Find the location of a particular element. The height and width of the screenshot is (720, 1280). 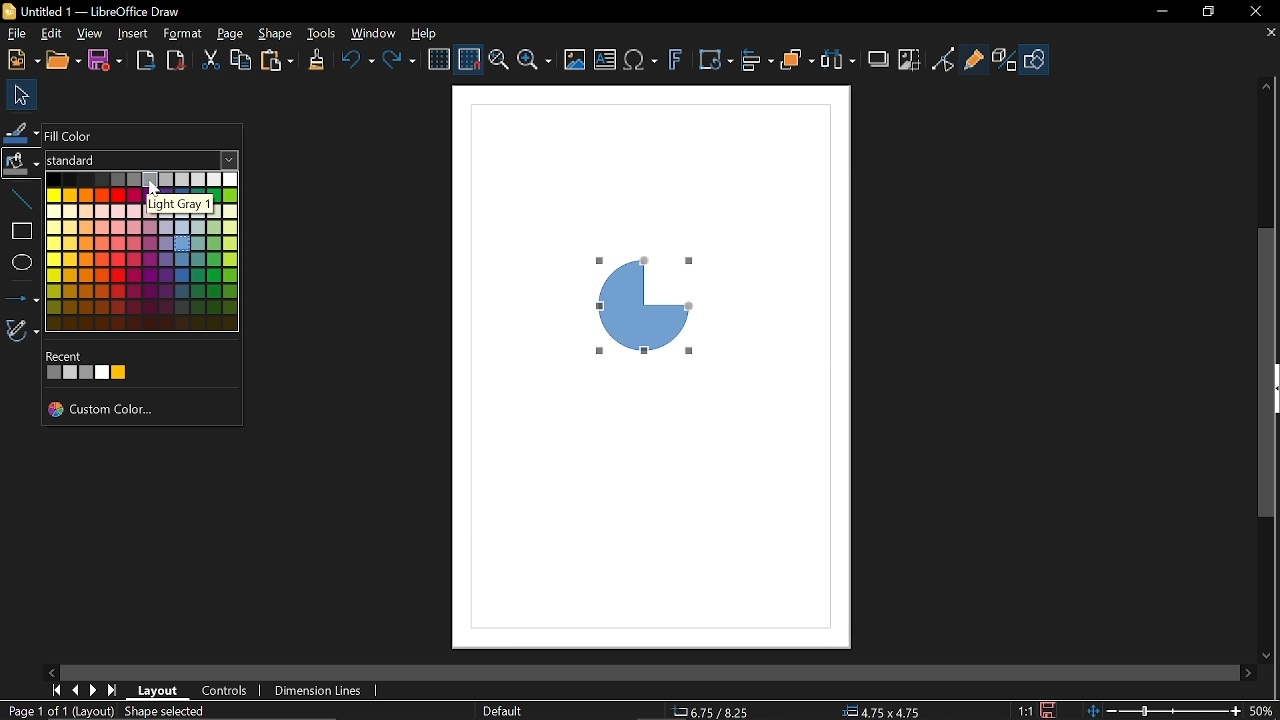

Copy is located at coordinates (241, 61).